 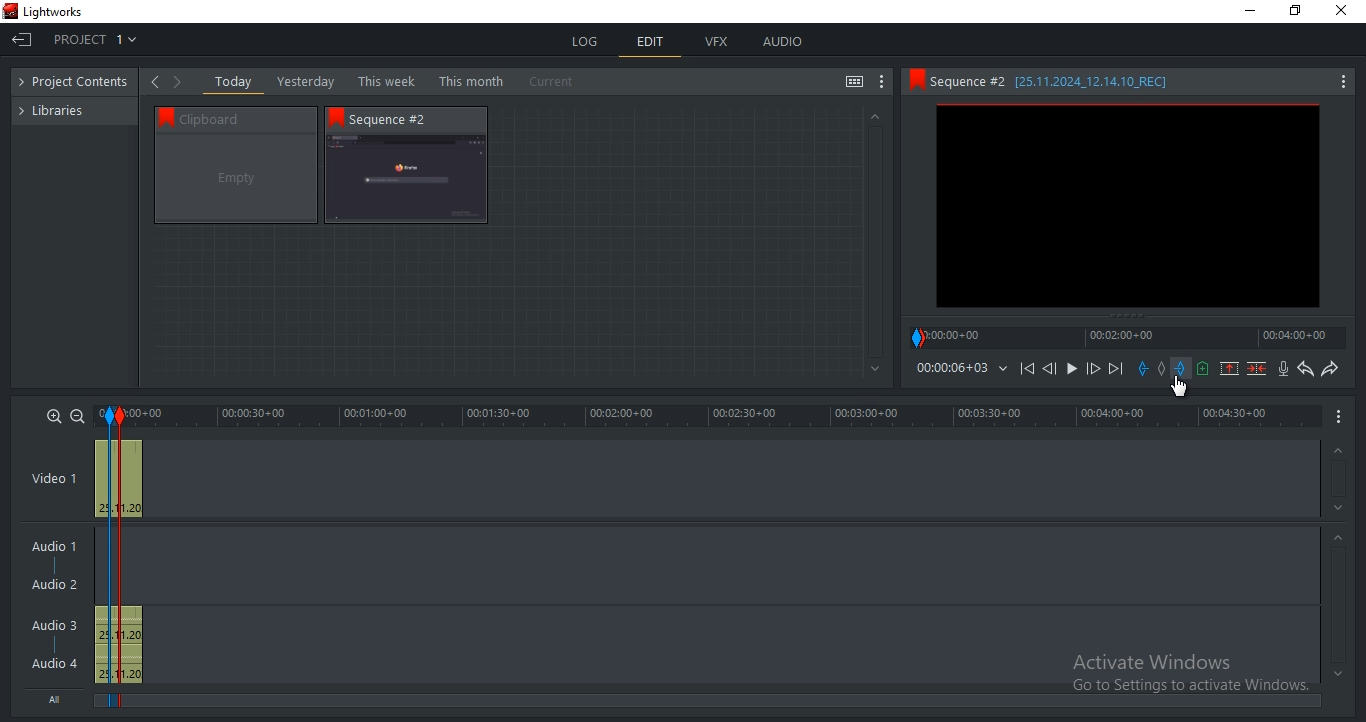 I want to click on clear all markers, so click(x=1163, y=367).